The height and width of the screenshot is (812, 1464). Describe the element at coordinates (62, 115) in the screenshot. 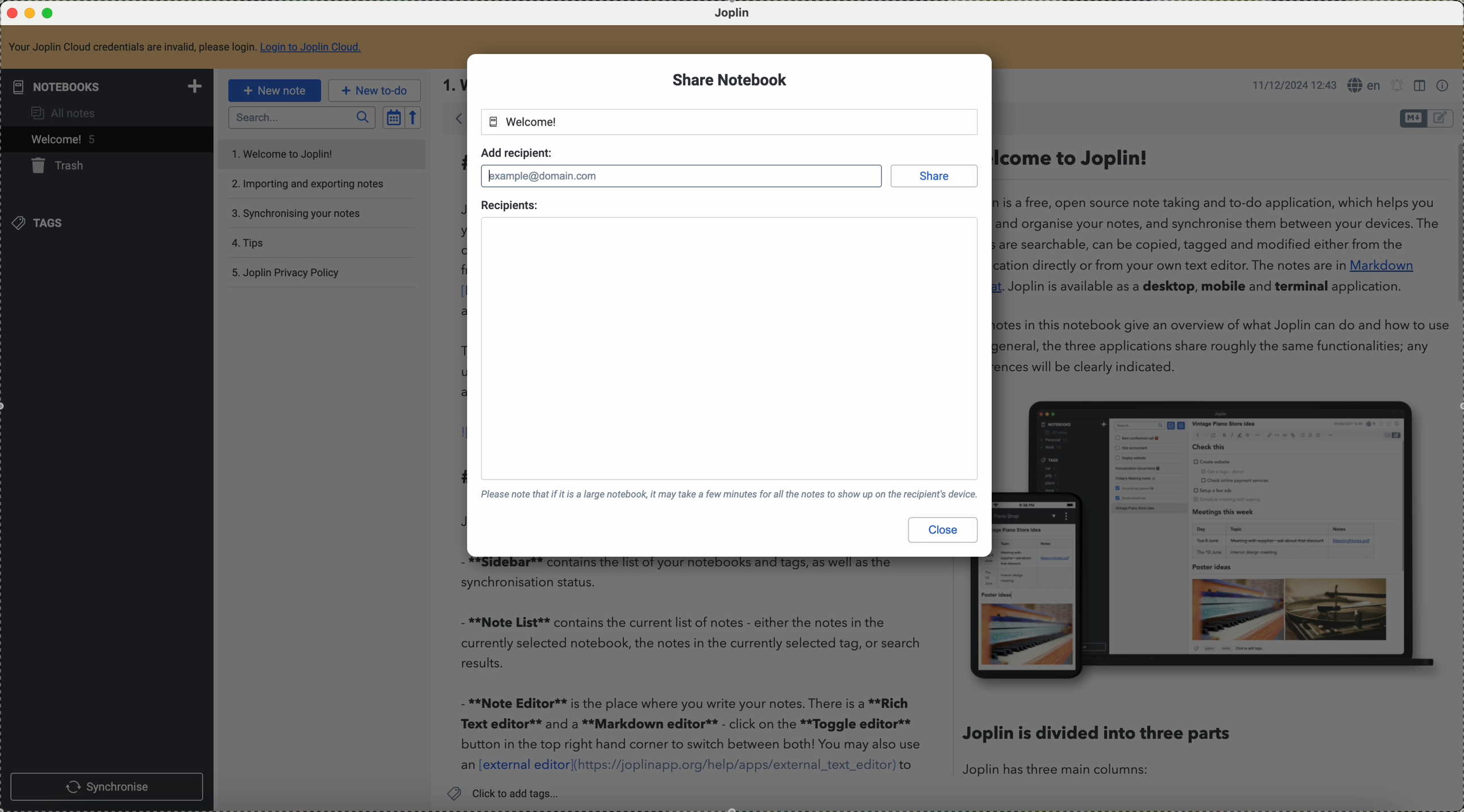

I see `all notes` at that location.